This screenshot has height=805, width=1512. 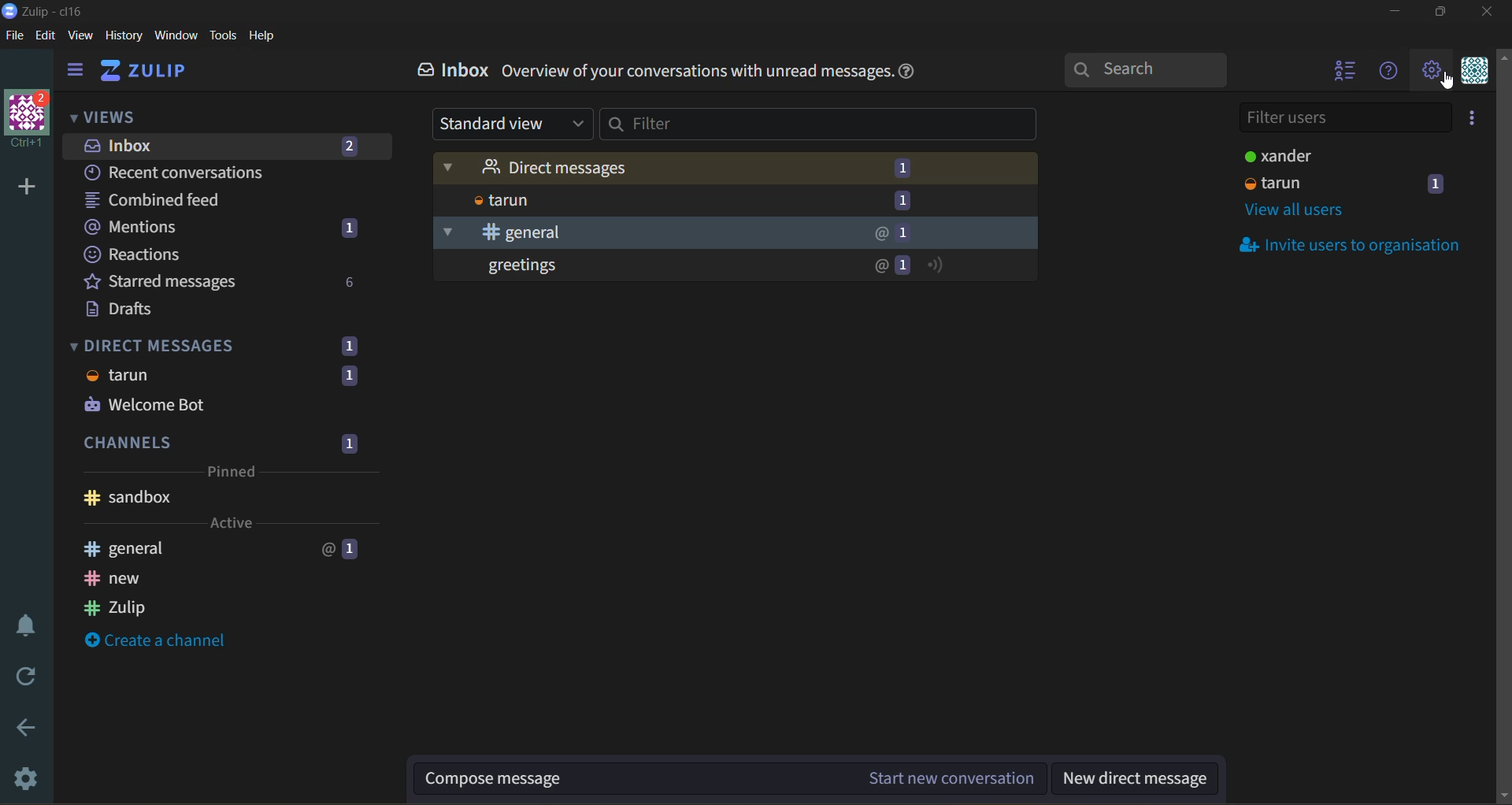 I want to click on invite users to organisation, so click(x=1363, y=248).